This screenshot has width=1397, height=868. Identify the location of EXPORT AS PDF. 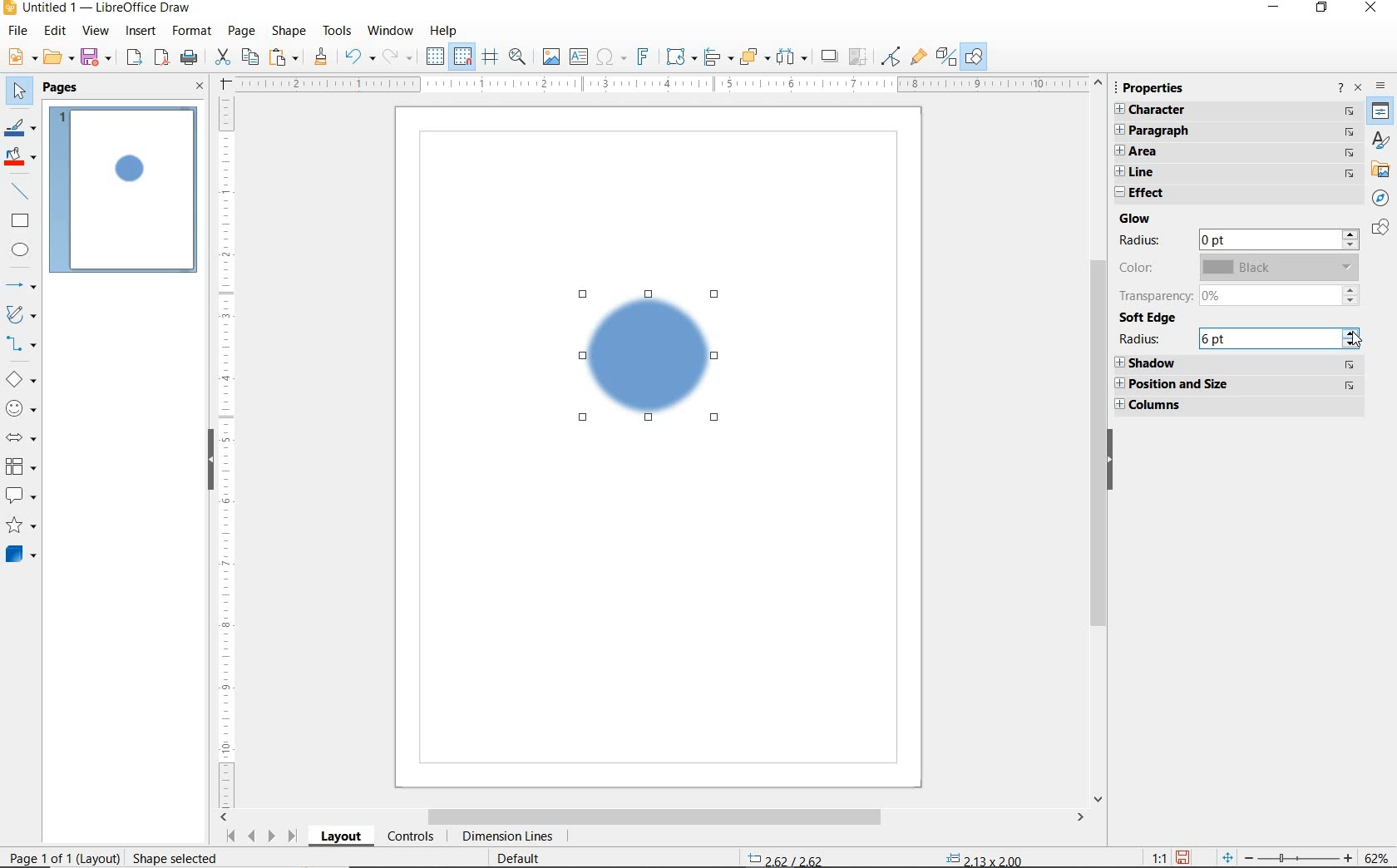
(161, 57).